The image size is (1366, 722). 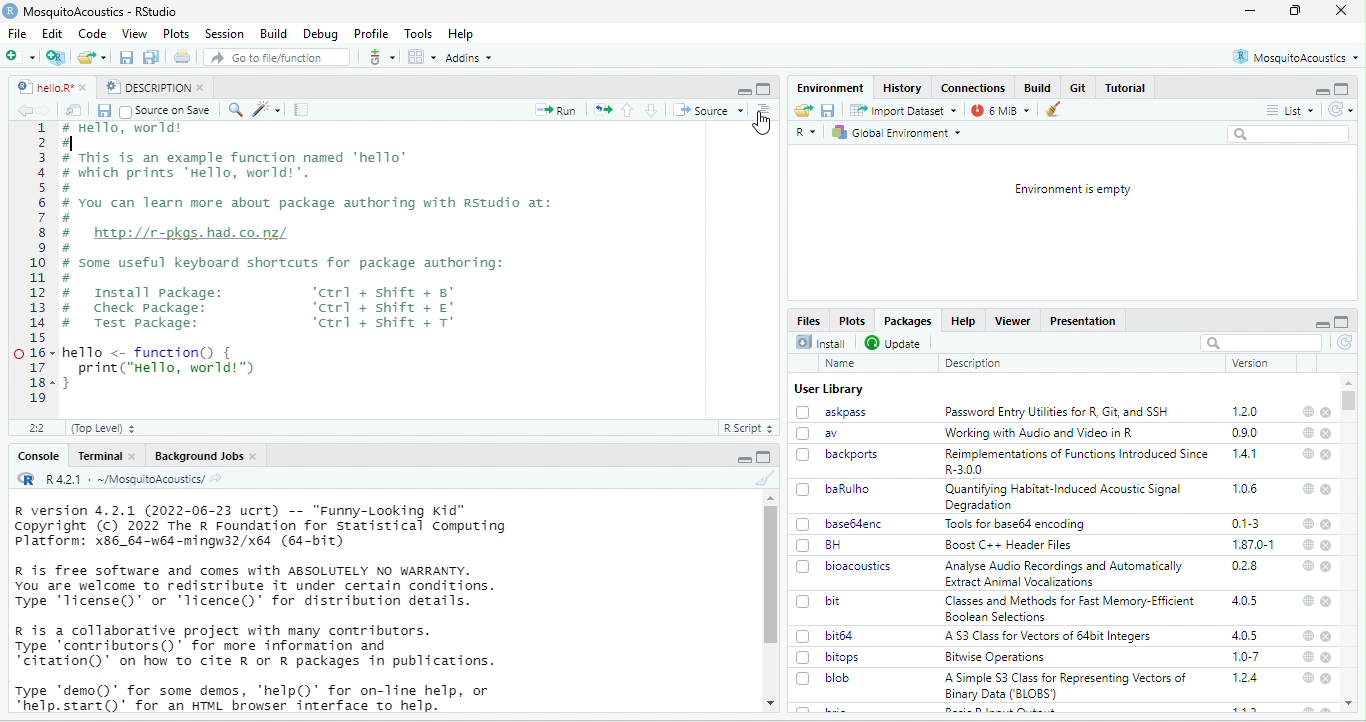 I want to click on create a project, so click(x=56, y=57).